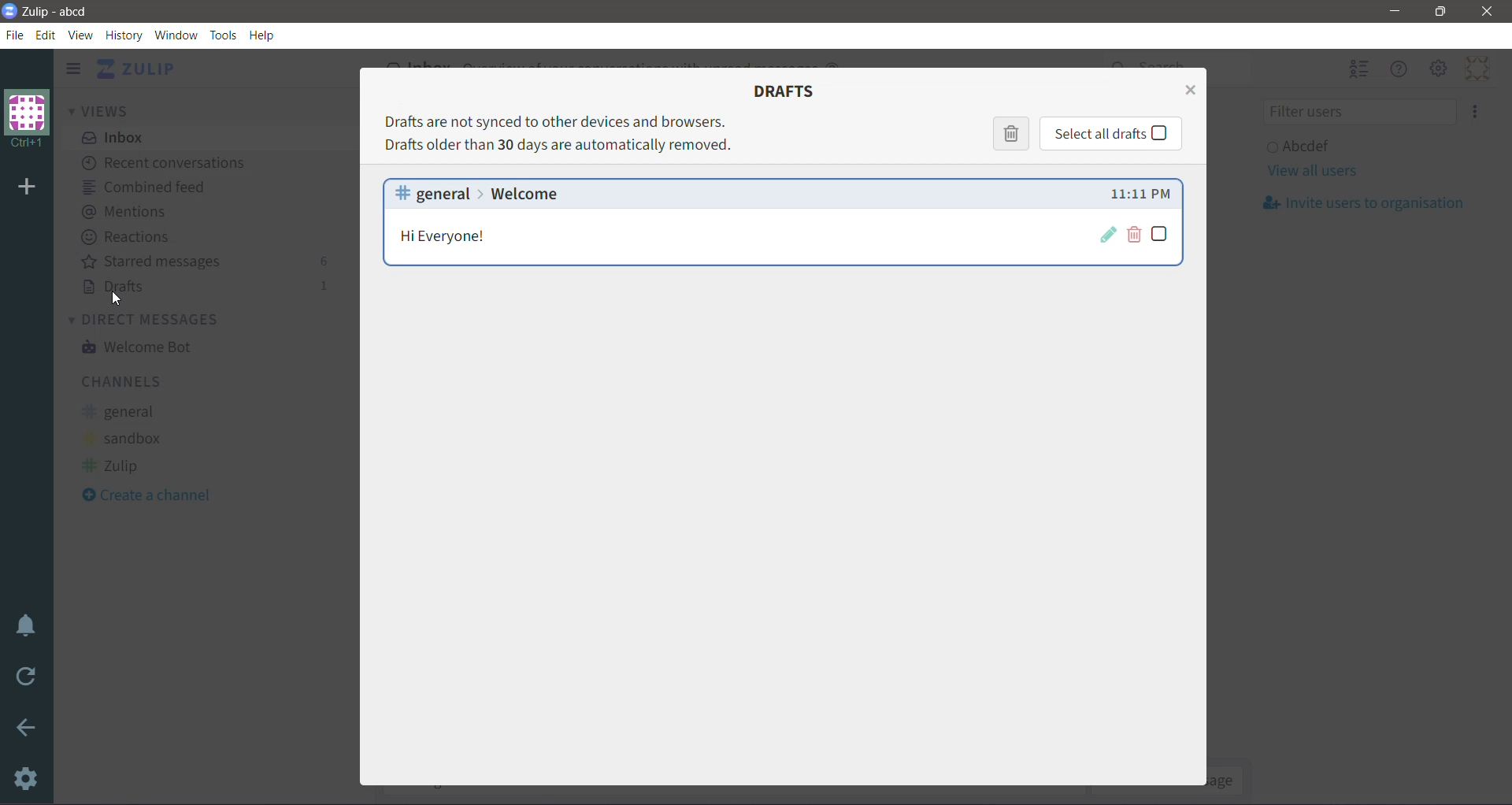 The image size is (1512, 805). Describe the element at coordinates (1162, 235) in the screenshot. I see `Select draft` at that location.